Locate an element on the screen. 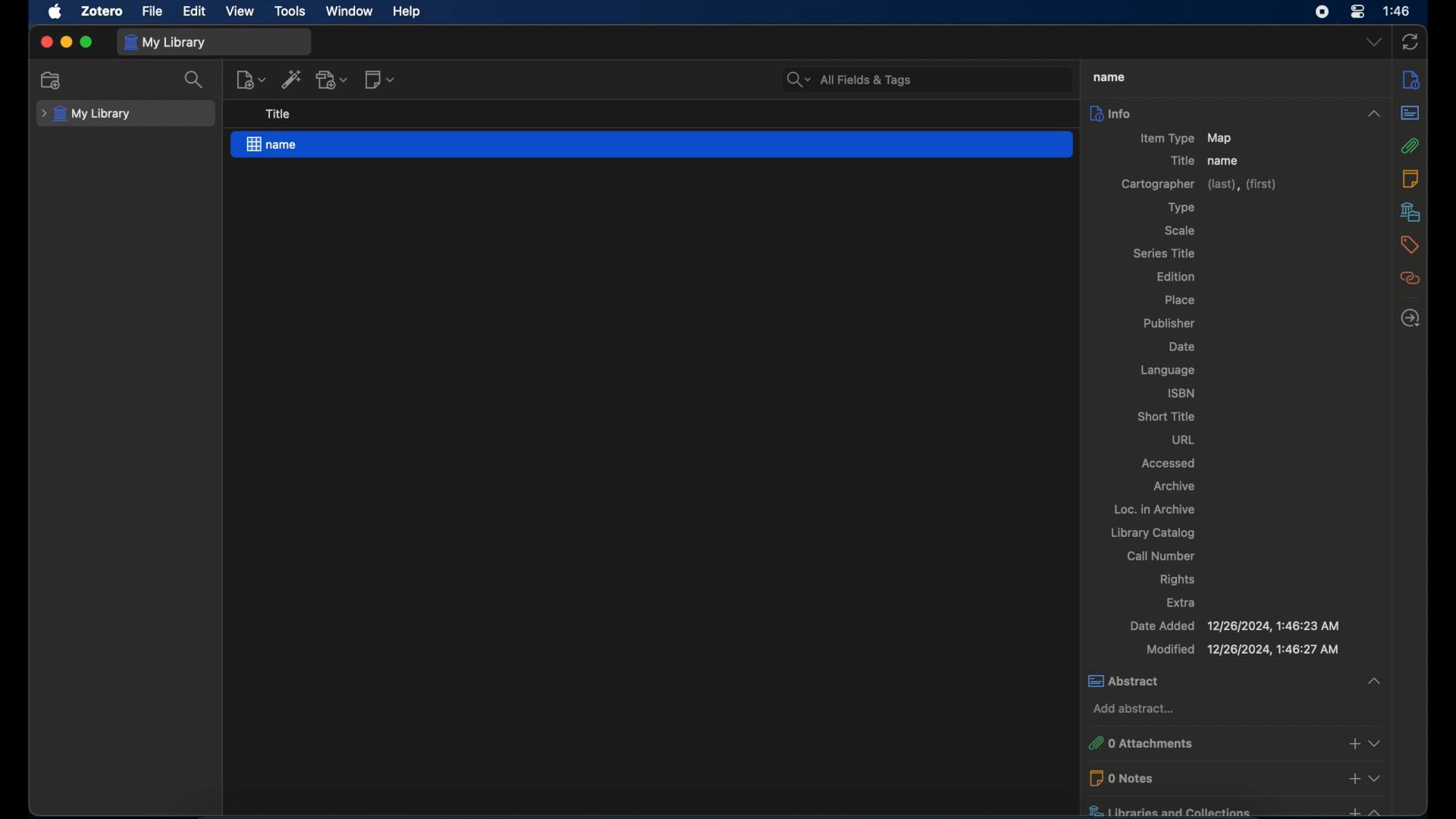 The width and height of the screenshot is (1456, 819). dropdown is located at coordinates (1373, 42).